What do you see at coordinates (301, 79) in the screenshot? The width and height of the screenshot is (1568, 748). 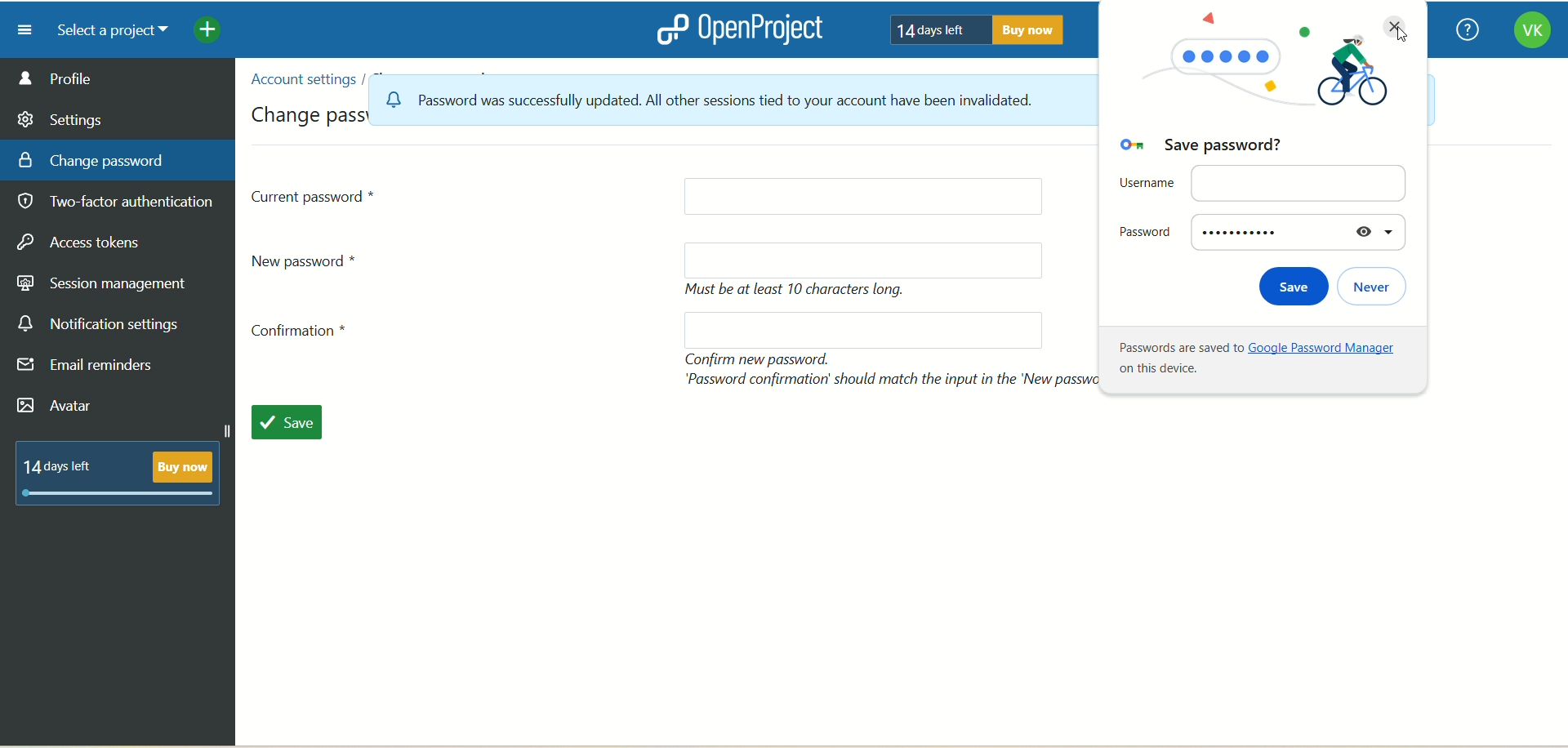 I see `account settings` at bounding box center [301, 79].